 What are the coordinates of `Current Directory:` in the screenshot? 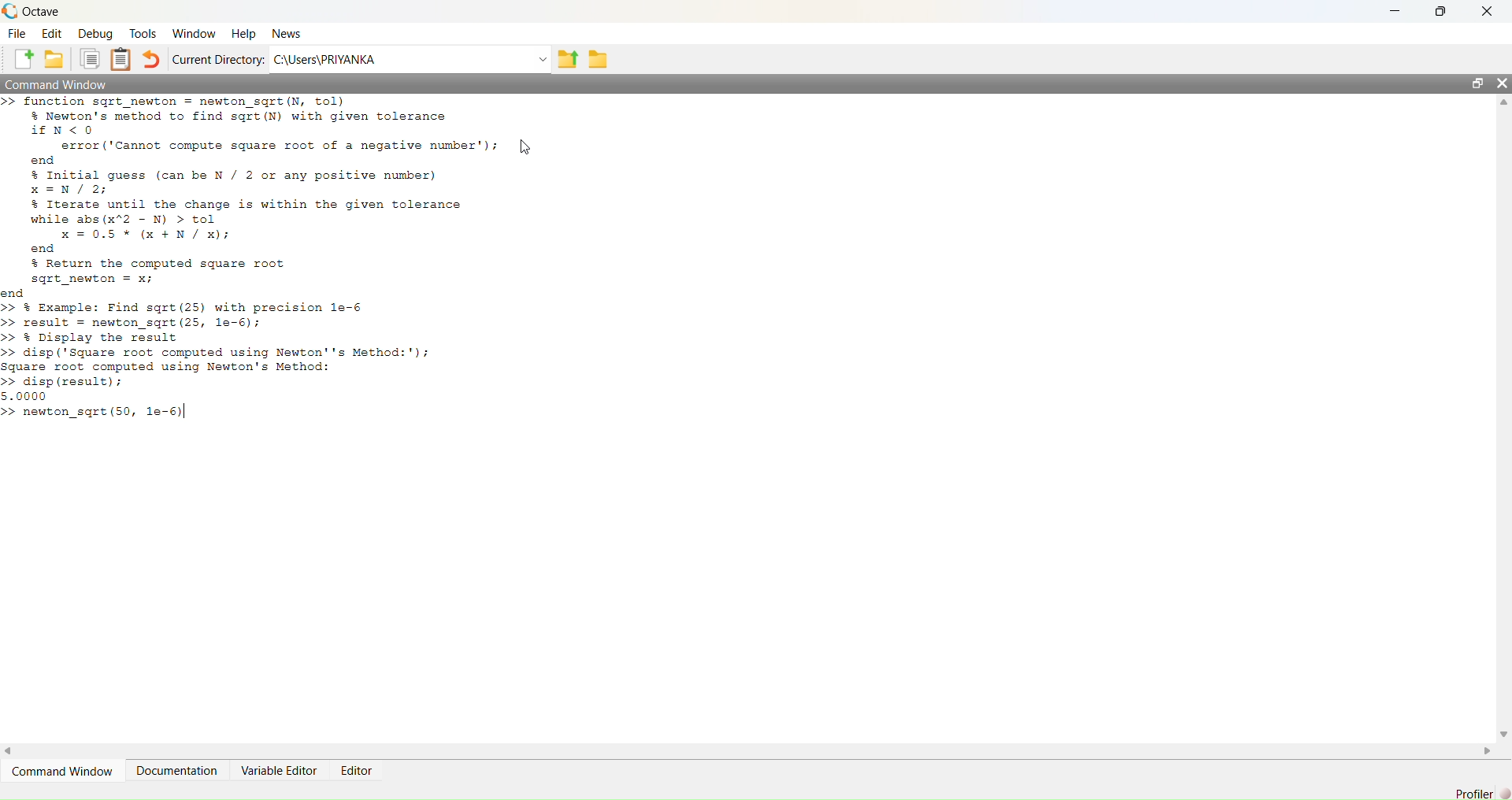 It's located at (220, 59).